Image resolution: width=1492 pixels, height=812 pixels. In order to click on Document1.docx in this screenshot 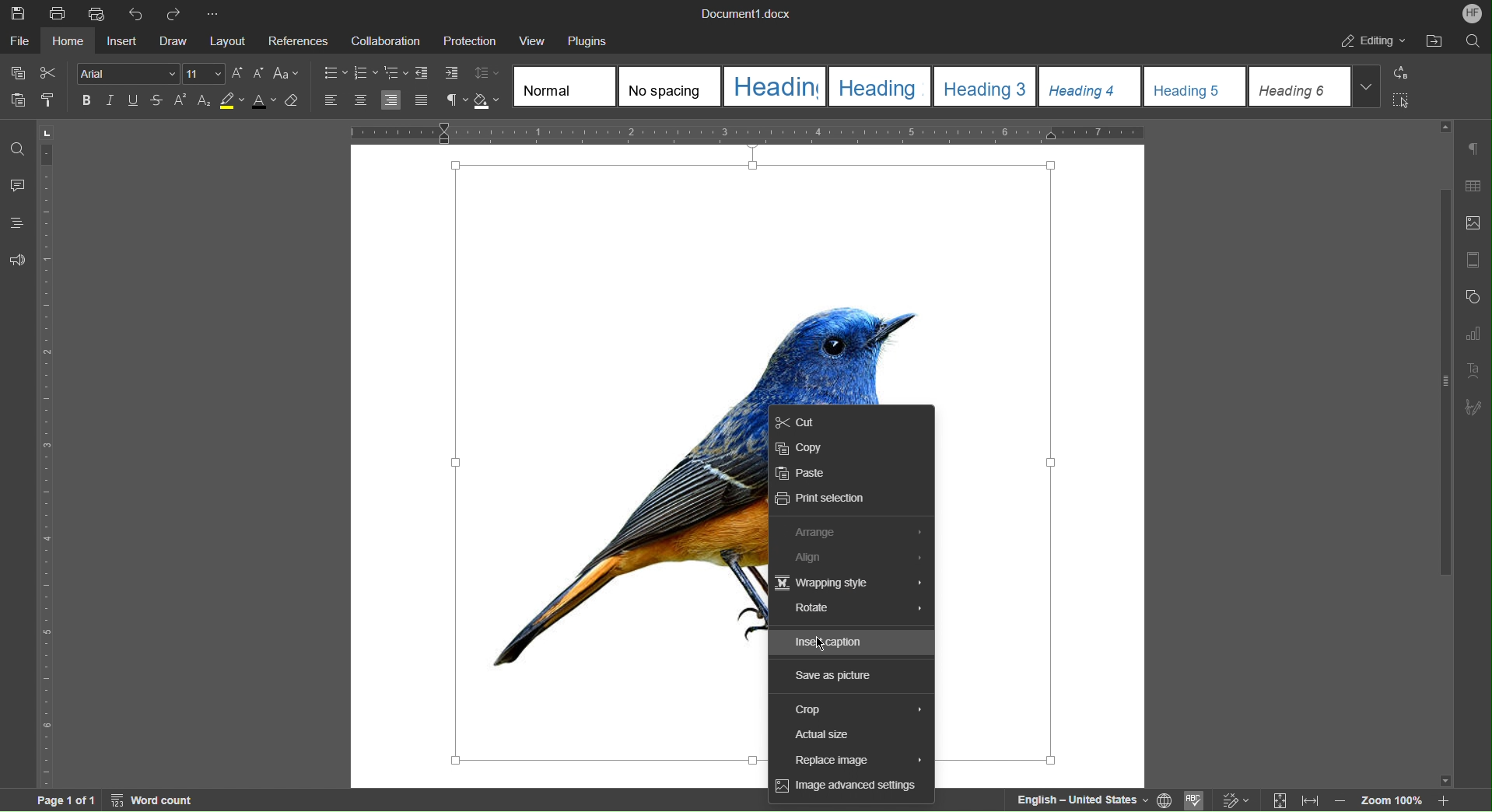, I will do `click(744, 12)`.